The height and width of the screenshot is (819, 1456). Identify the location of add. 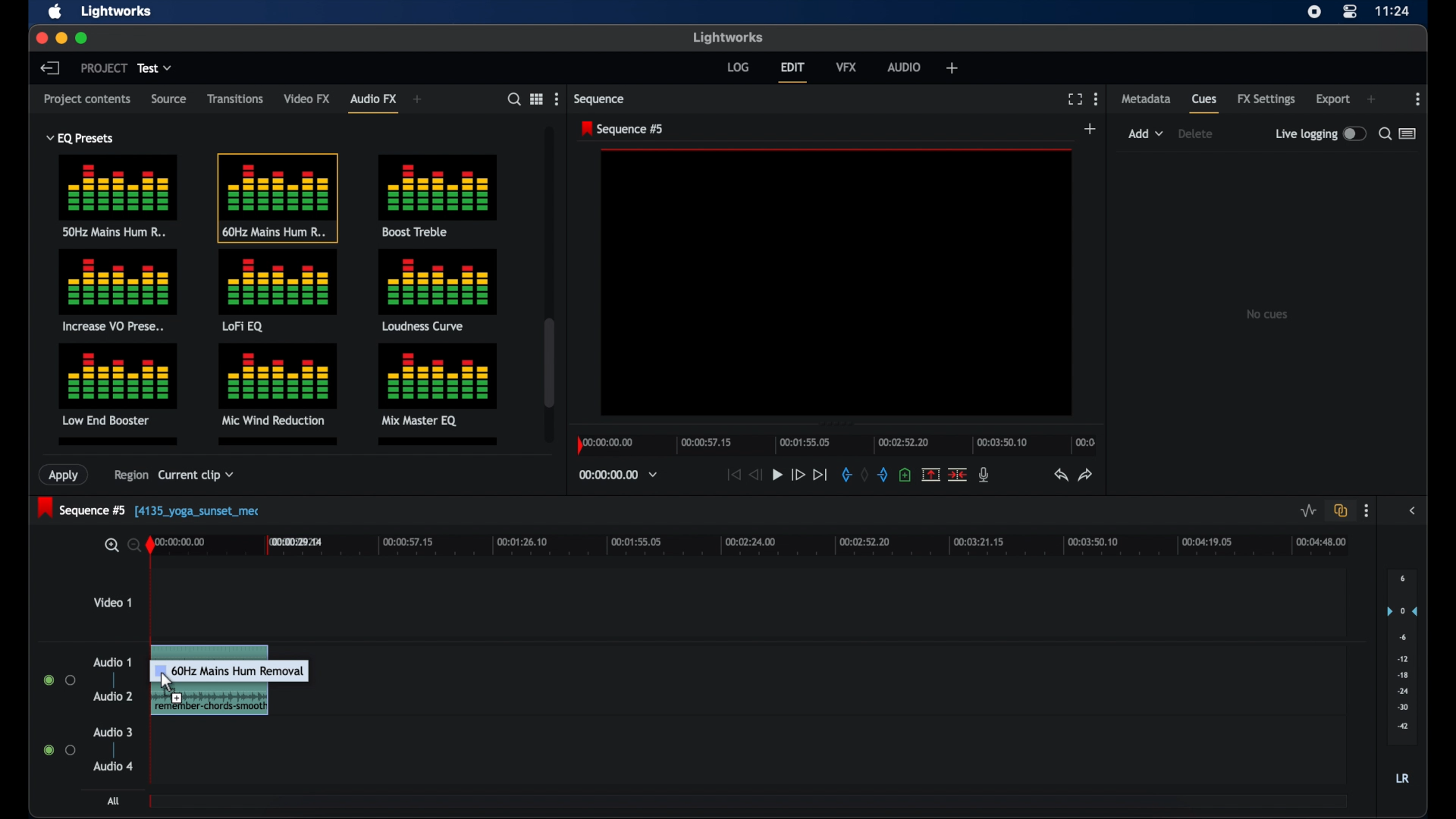
(1090, 128).